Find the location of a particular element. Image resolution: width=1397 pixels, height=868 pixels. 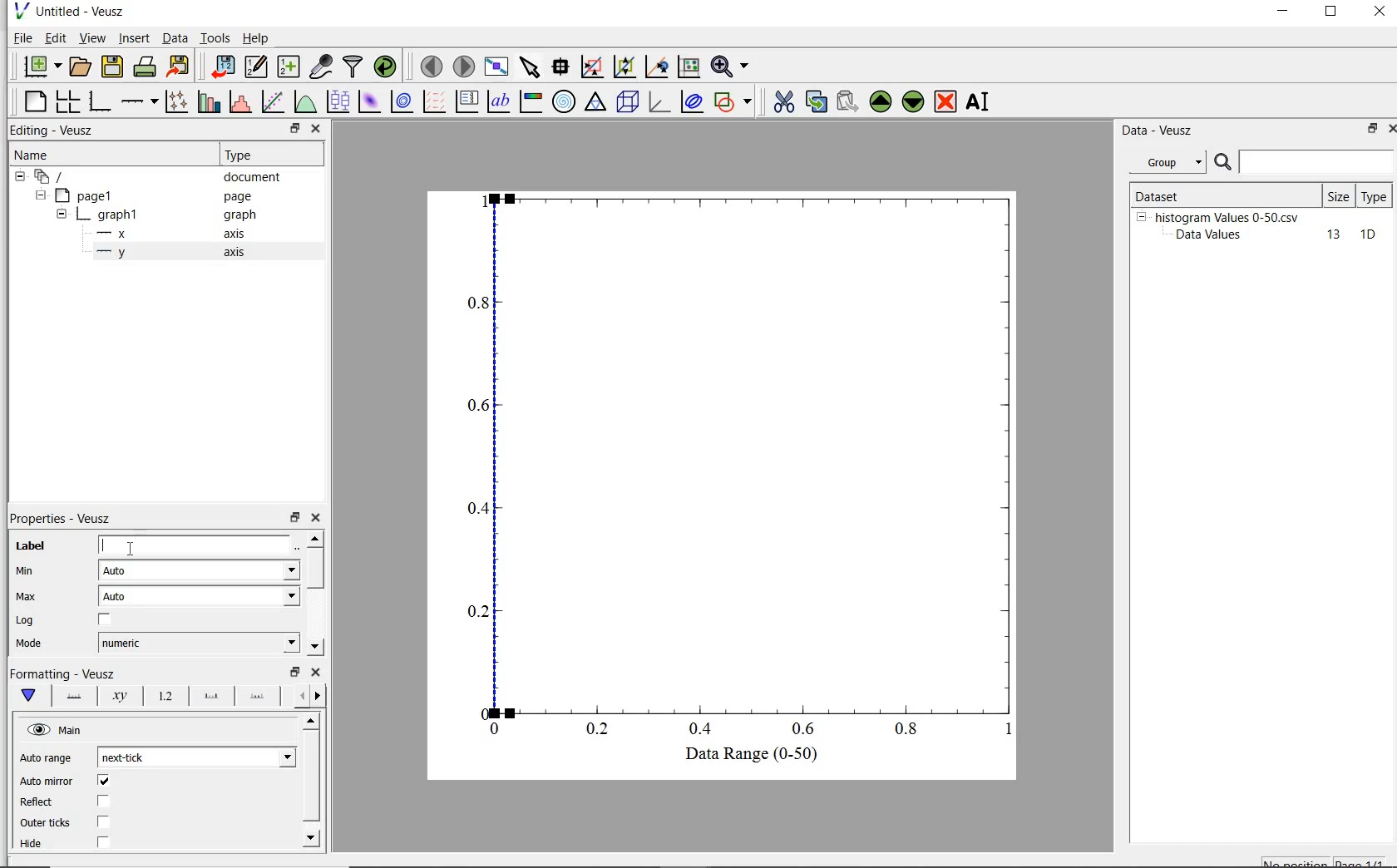

3d scene is located at coordinates (628, 103).